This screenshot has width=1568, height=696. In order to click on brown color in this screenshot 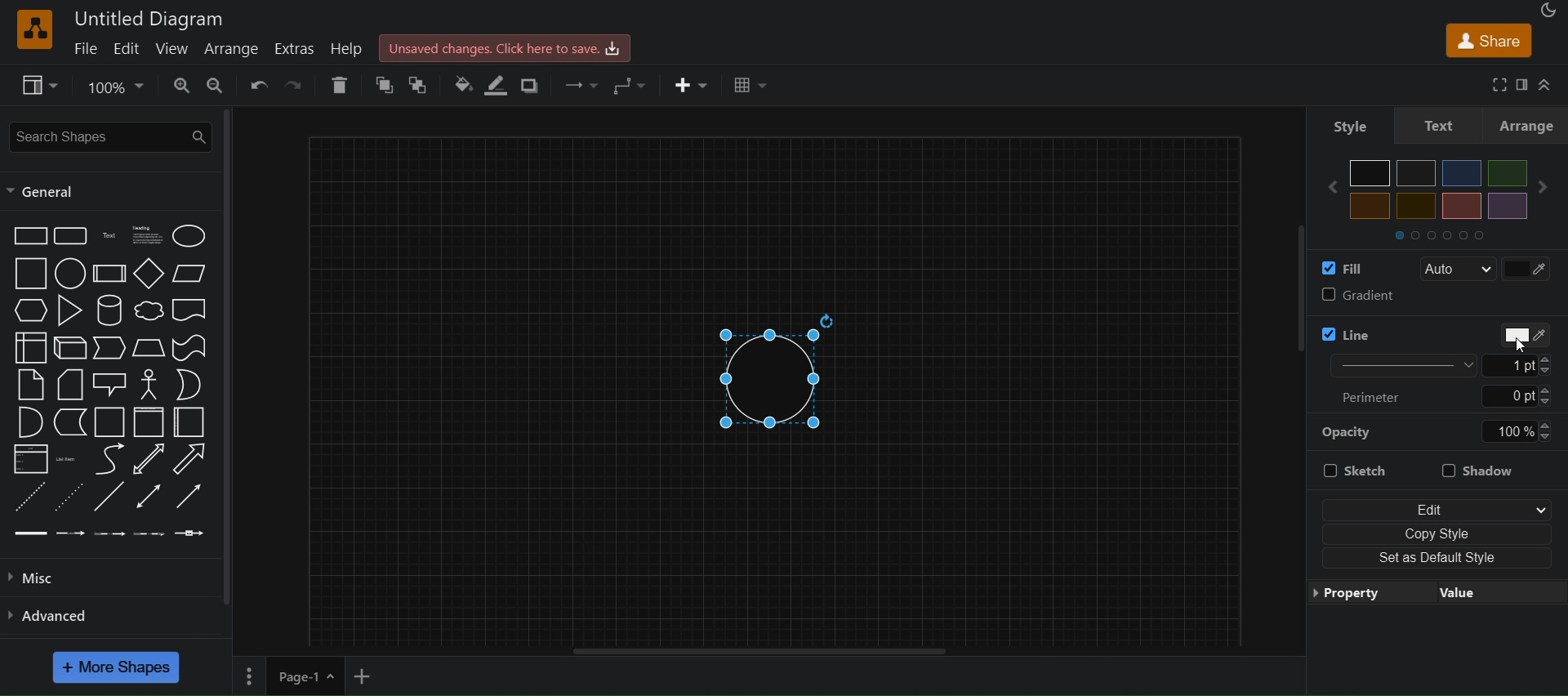, I will do `click(1461, 206)`.